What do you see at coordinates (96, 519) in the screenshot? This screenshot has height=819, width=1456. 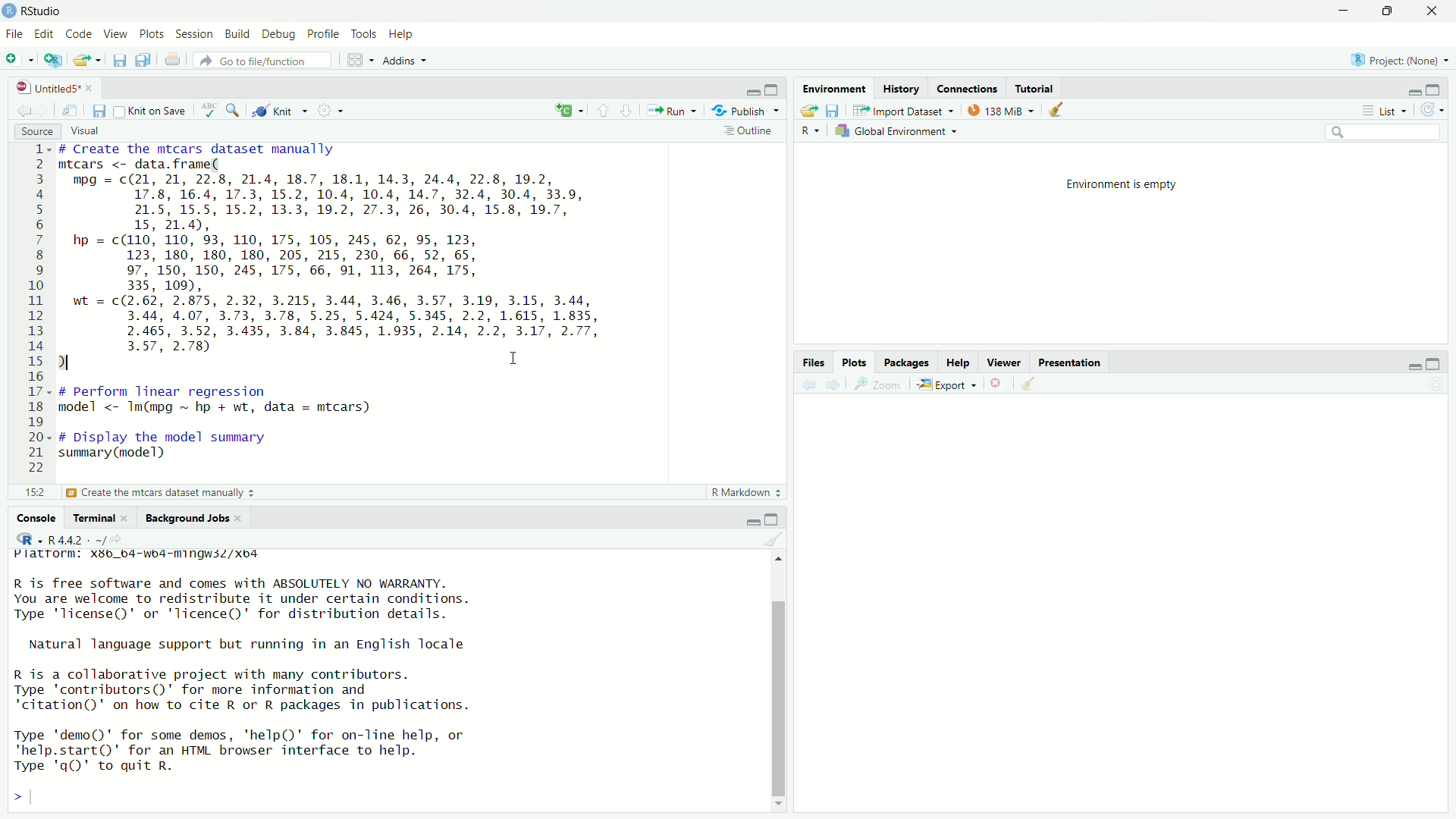 I see `Terminal` at bounding box center [96, 519].